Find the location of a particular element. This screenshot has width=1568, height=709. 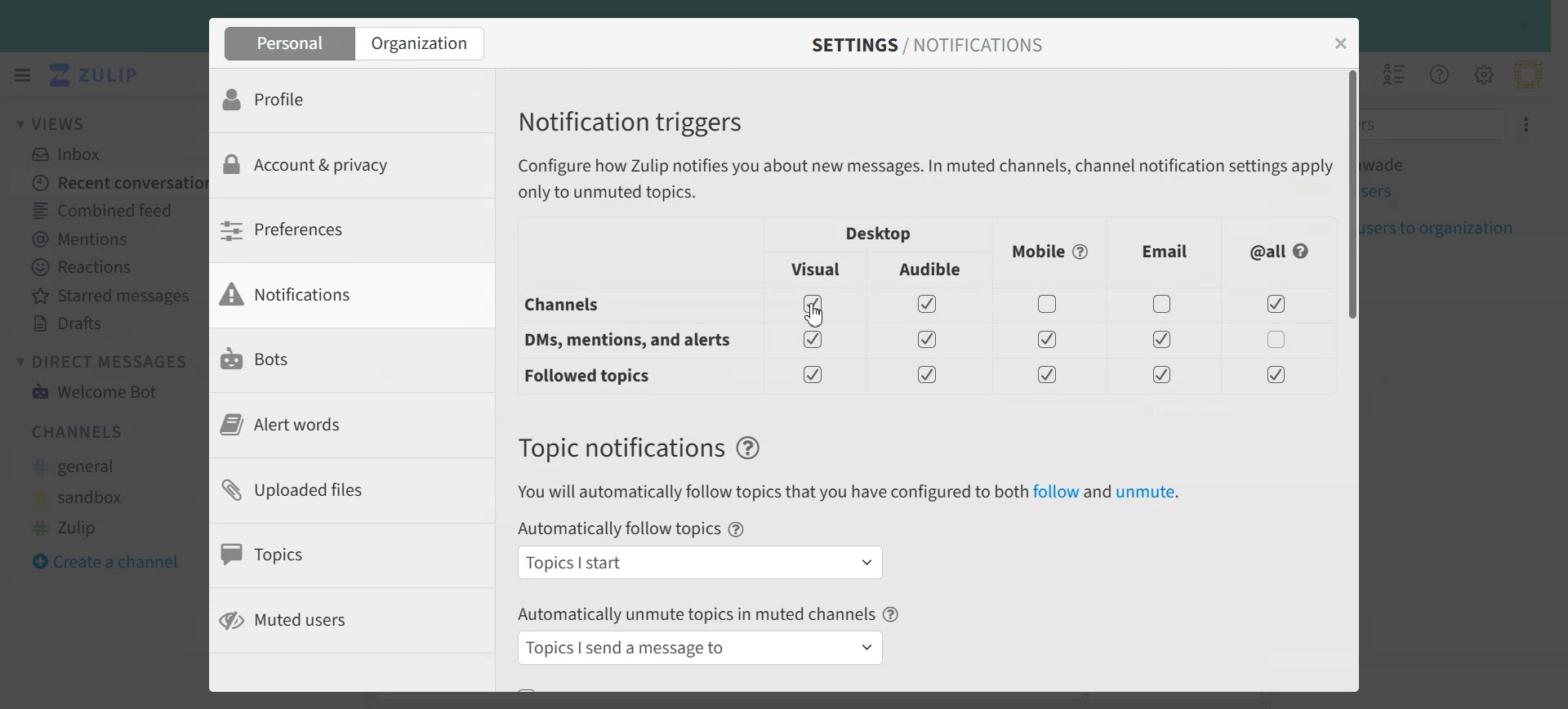

Help Menu is located at coordinates (1437, 74).